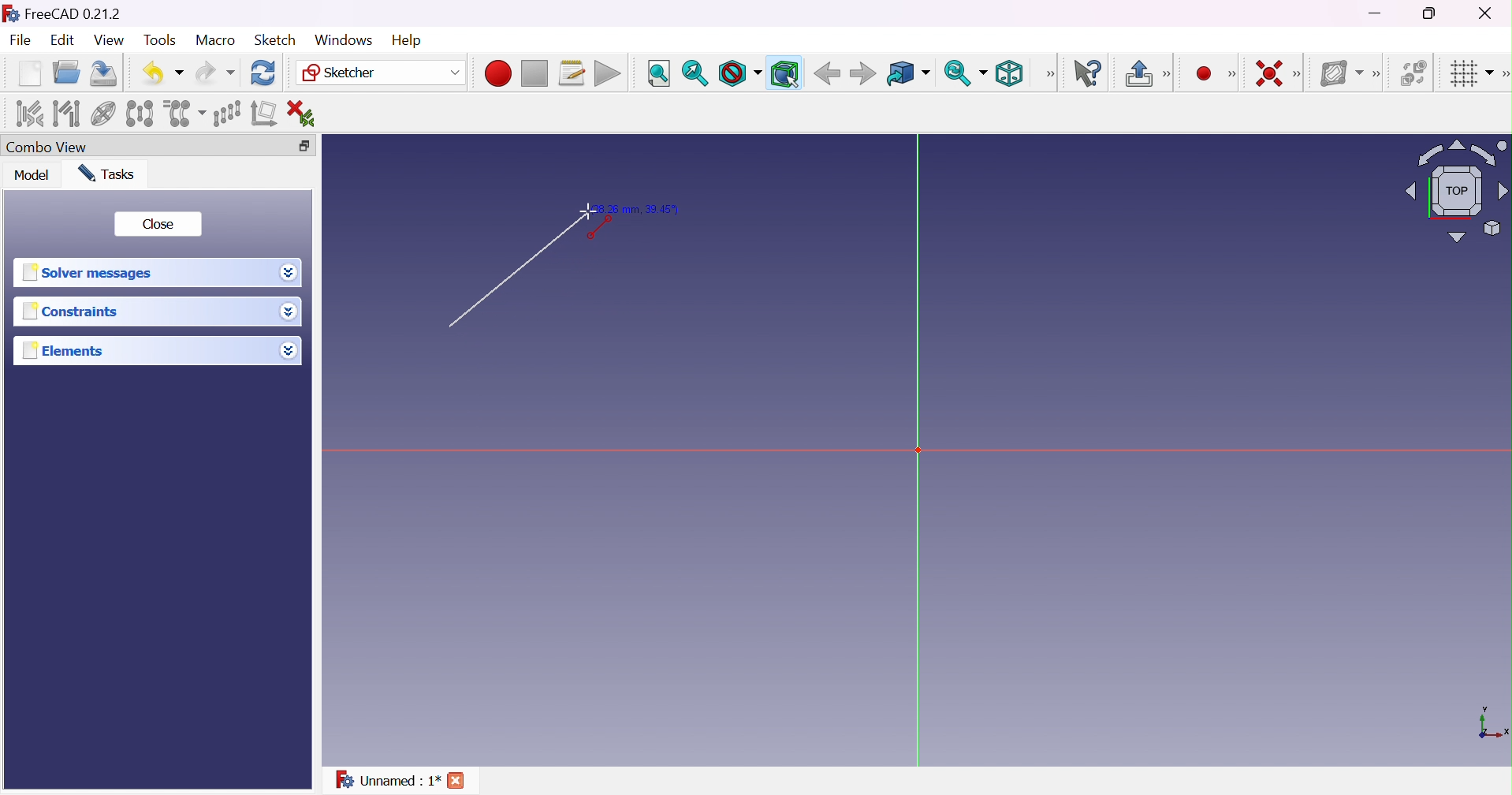  What do you see at coordinates (306, 113) in the screenshot?
I see `Delete all constraints` at bounding box center [306, 113].